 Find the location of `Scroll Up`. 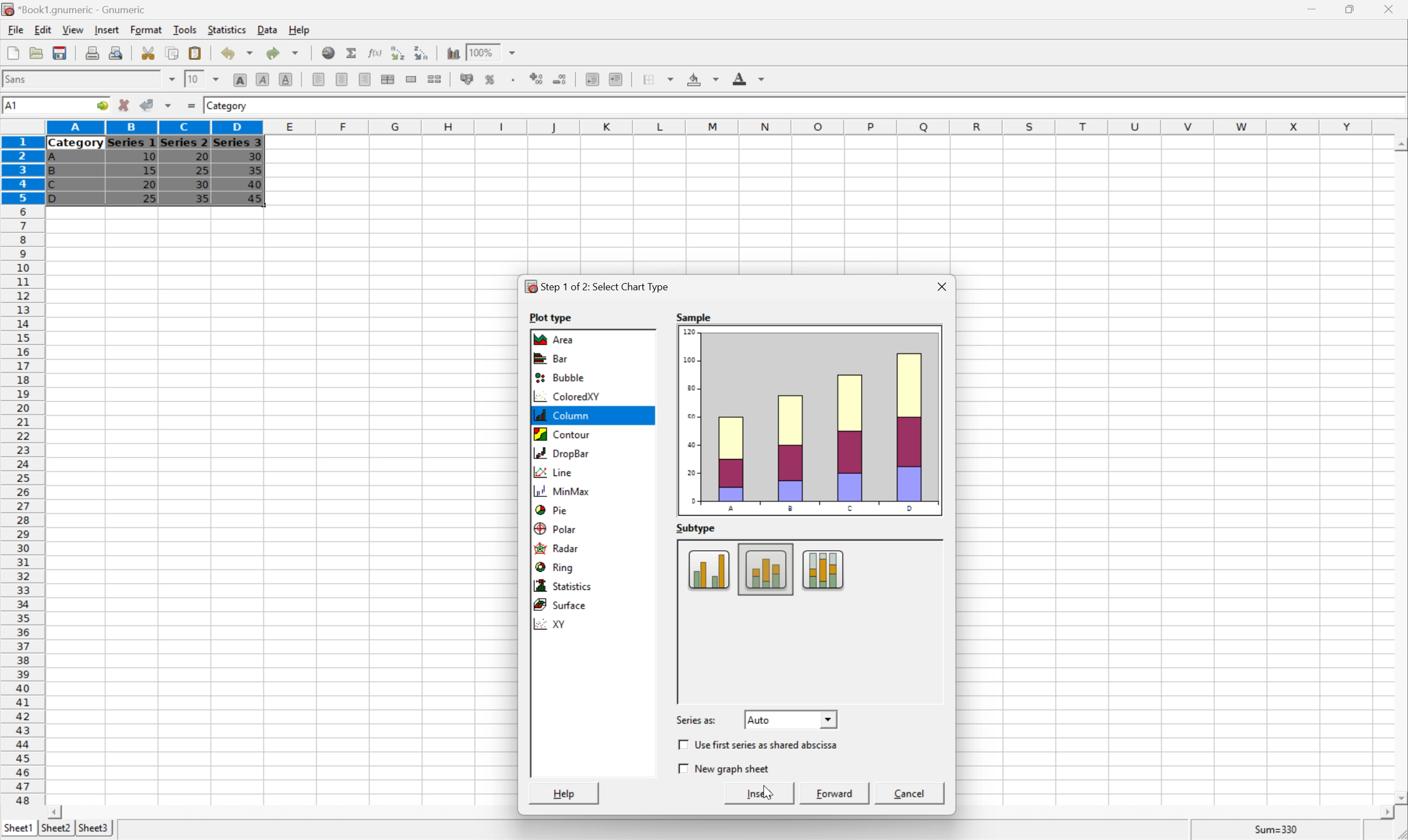

Scroll Up is located at coordinates (1398, 143).